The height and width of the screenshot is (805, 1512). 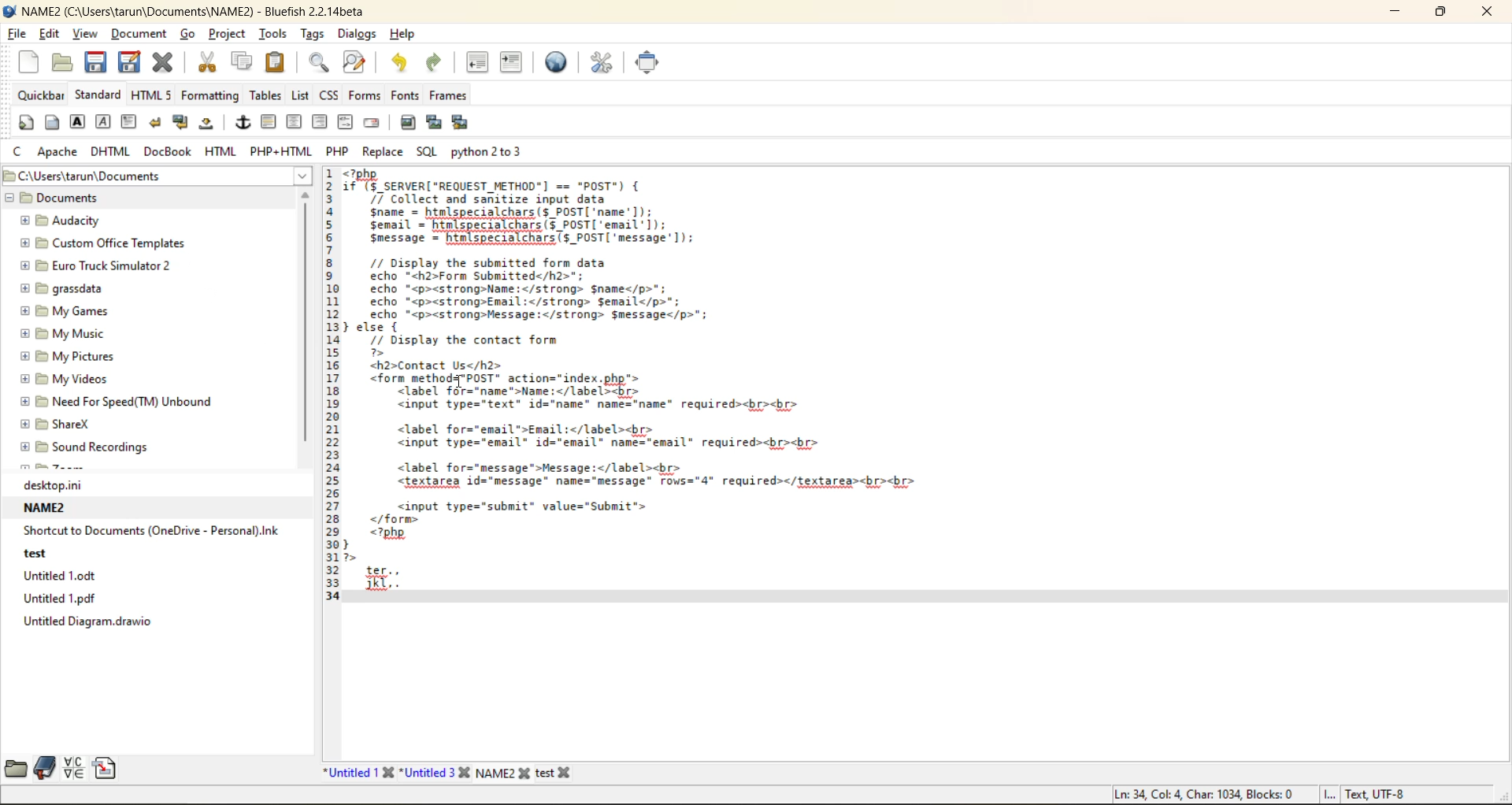 What do you see at coordinates (85, 621) in the screenshot?
I see `untitled diagram` at bounding box center [85, 621].